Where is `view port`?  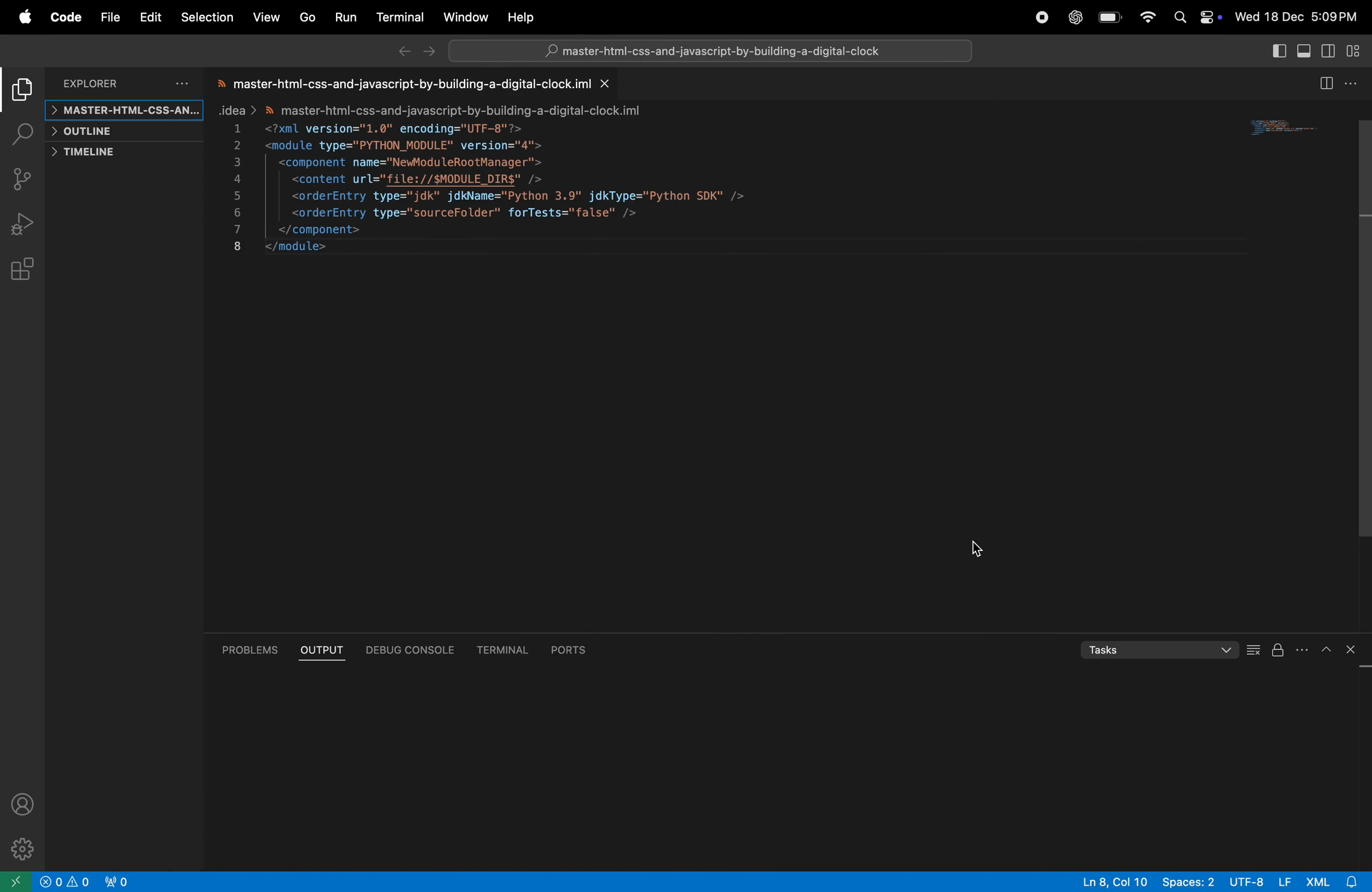
view port is located at coordinates (115, 881).